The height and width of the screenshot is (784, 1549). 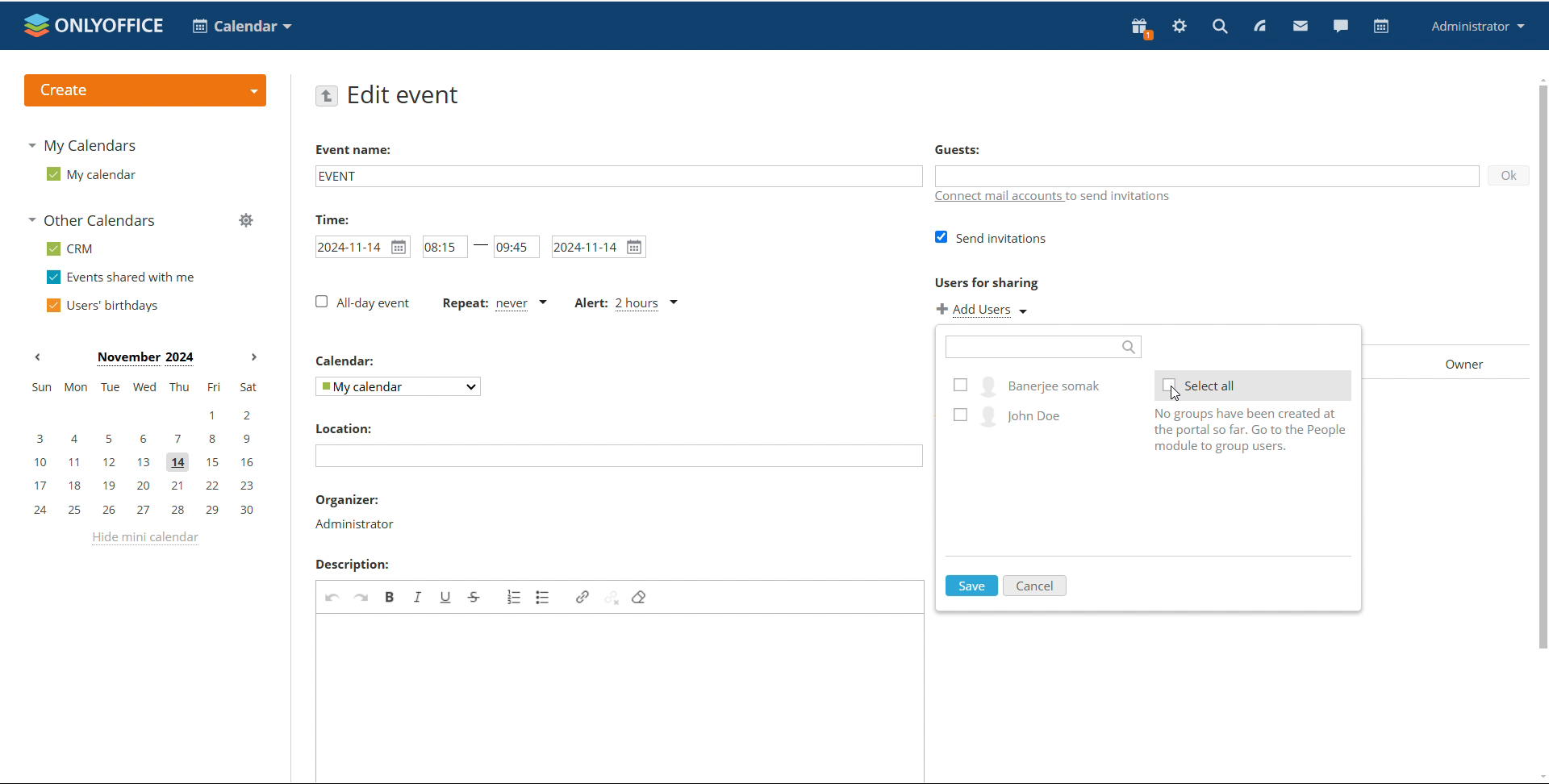 What do you see at coordinates (475, 596) in the screenshot?
I see `strikethrough` at bounding box center [475, 596].